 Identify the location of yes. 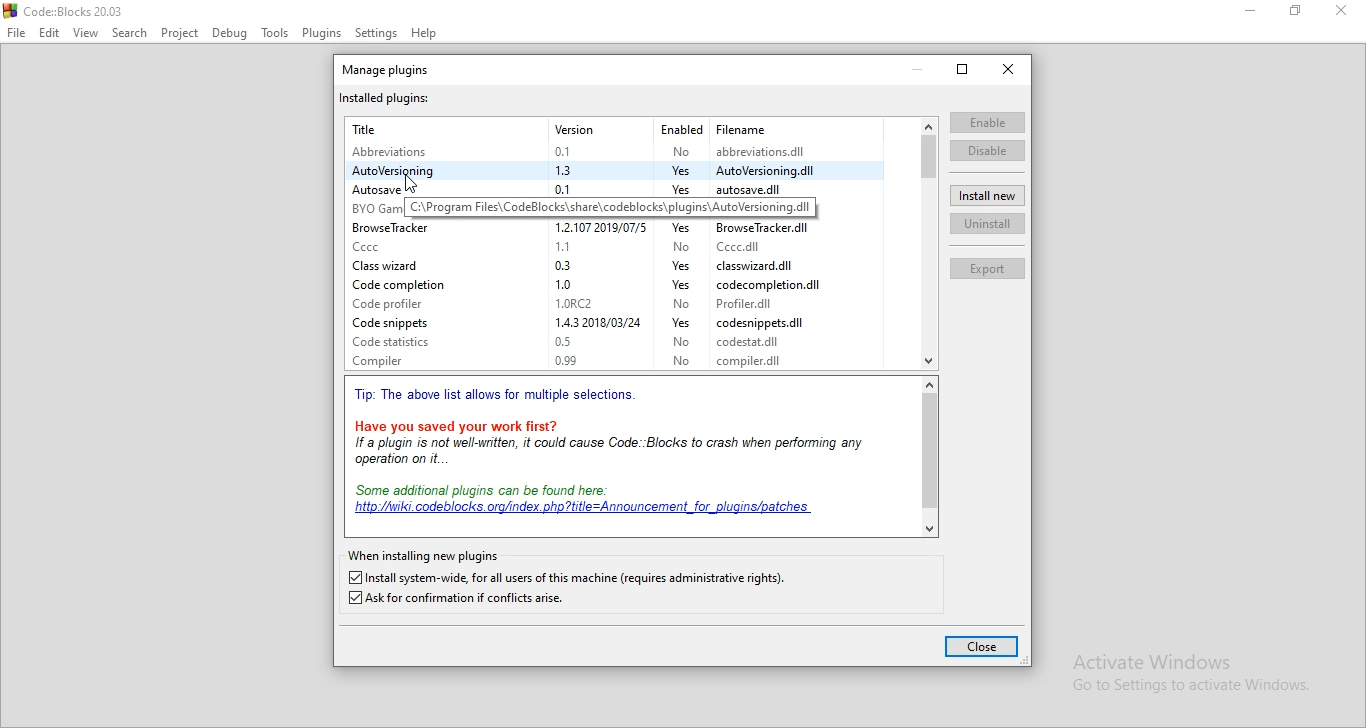
(679, 287).